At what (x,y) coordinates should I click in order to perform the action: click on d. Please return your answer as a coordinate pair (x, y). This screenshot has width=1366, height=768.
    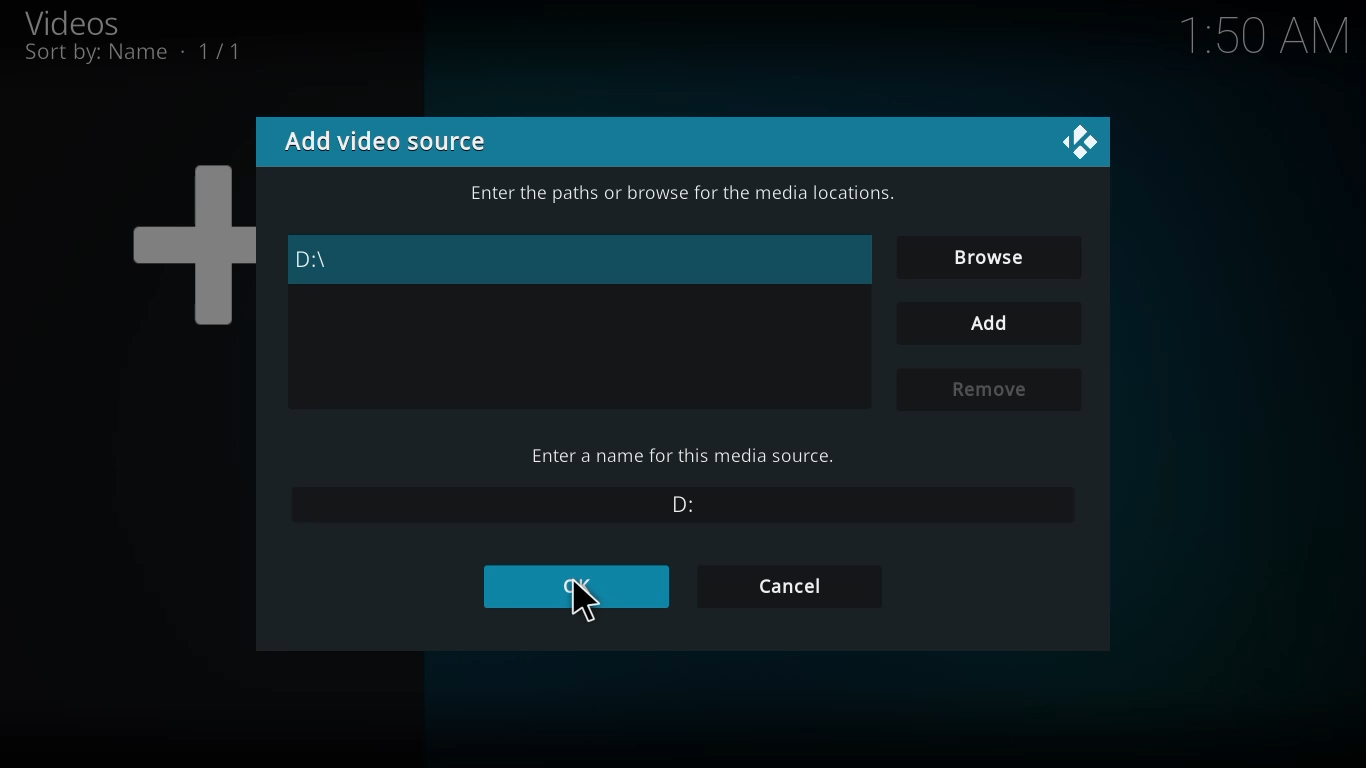
    Looking at the image, I should click on (312, 261).